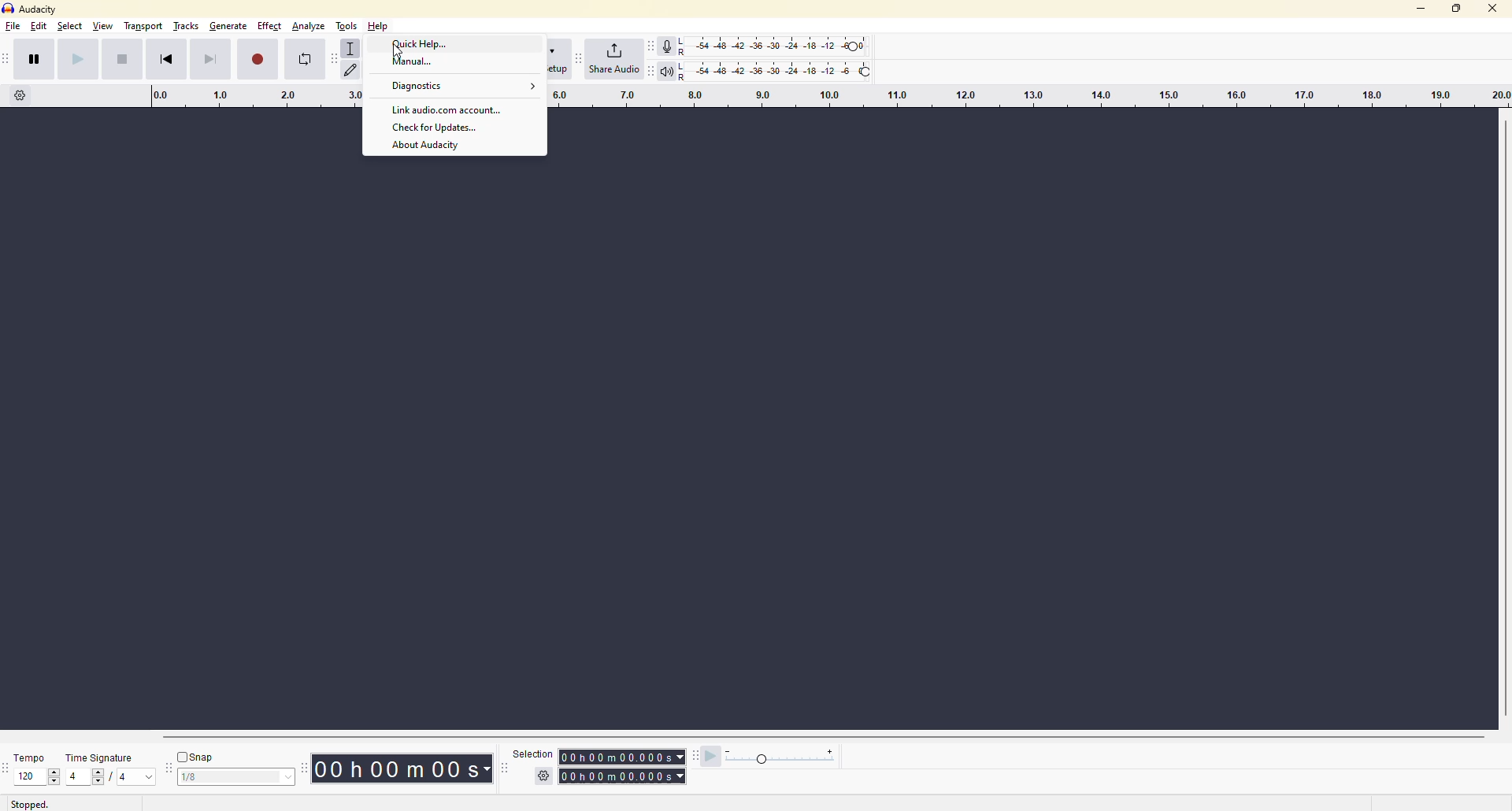 The height and width of the screenshot is (811, 1512). Describe the element at coordinates (668, 69) in the screenshot. I see `playback meter` at that location.